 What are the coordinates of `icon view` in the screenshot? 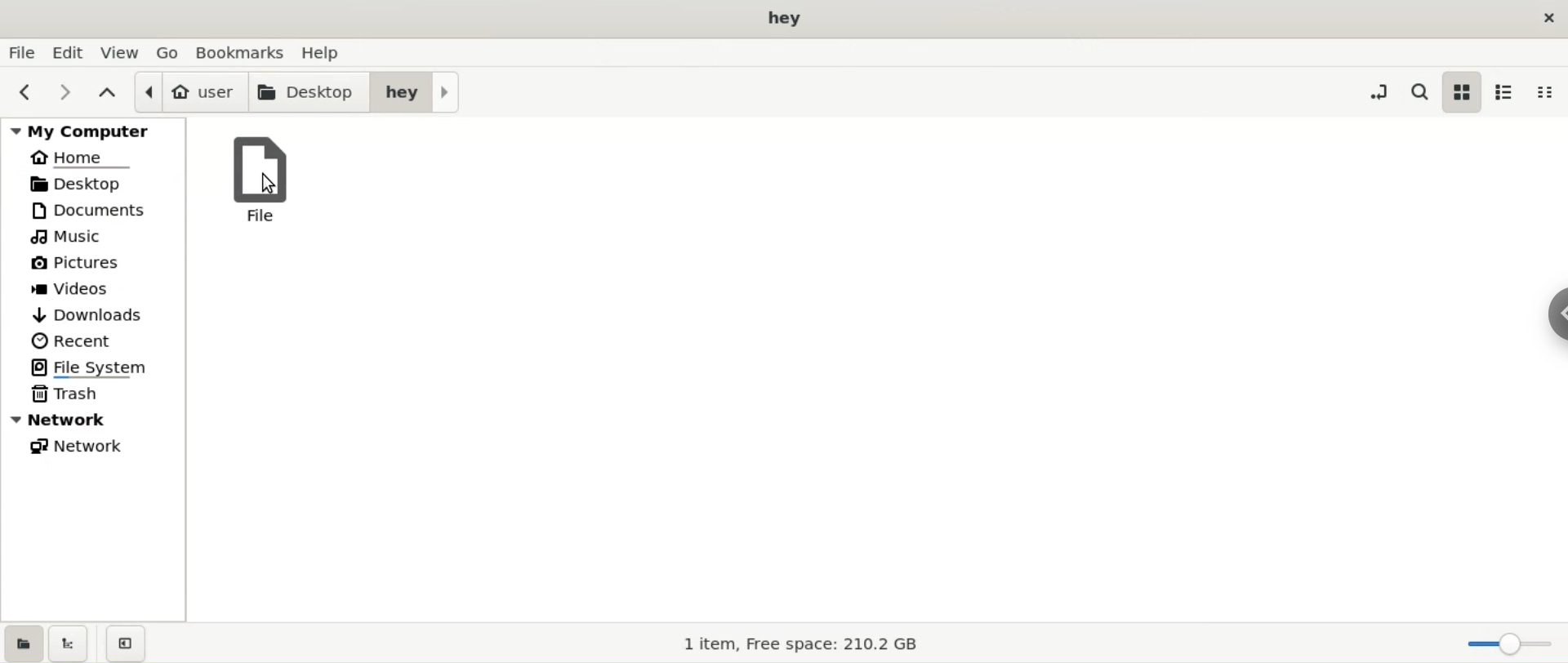 It's located at (1463, 93).